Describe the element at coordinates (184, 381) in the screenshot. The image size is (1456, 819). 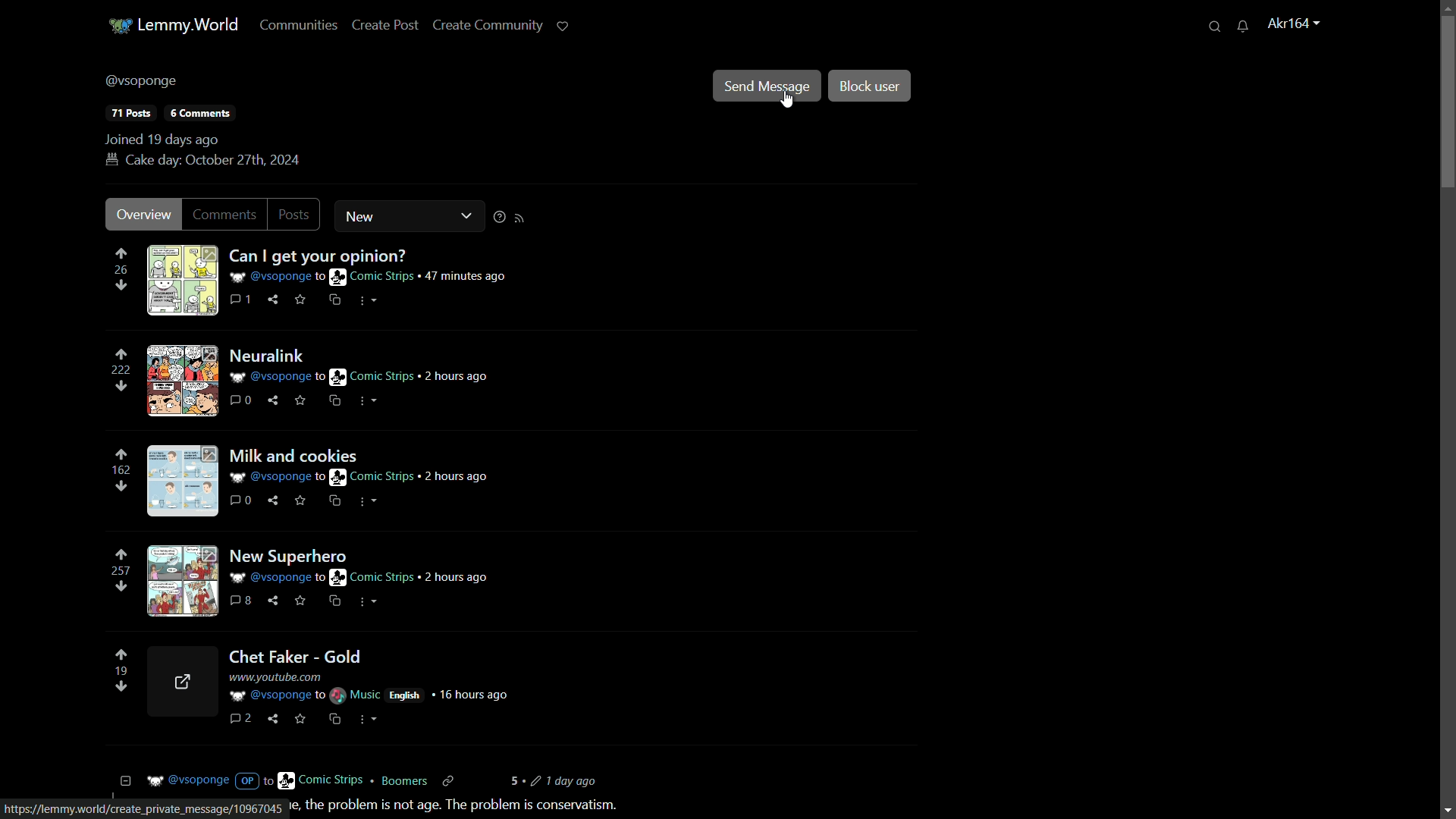
I see `image` at that location.